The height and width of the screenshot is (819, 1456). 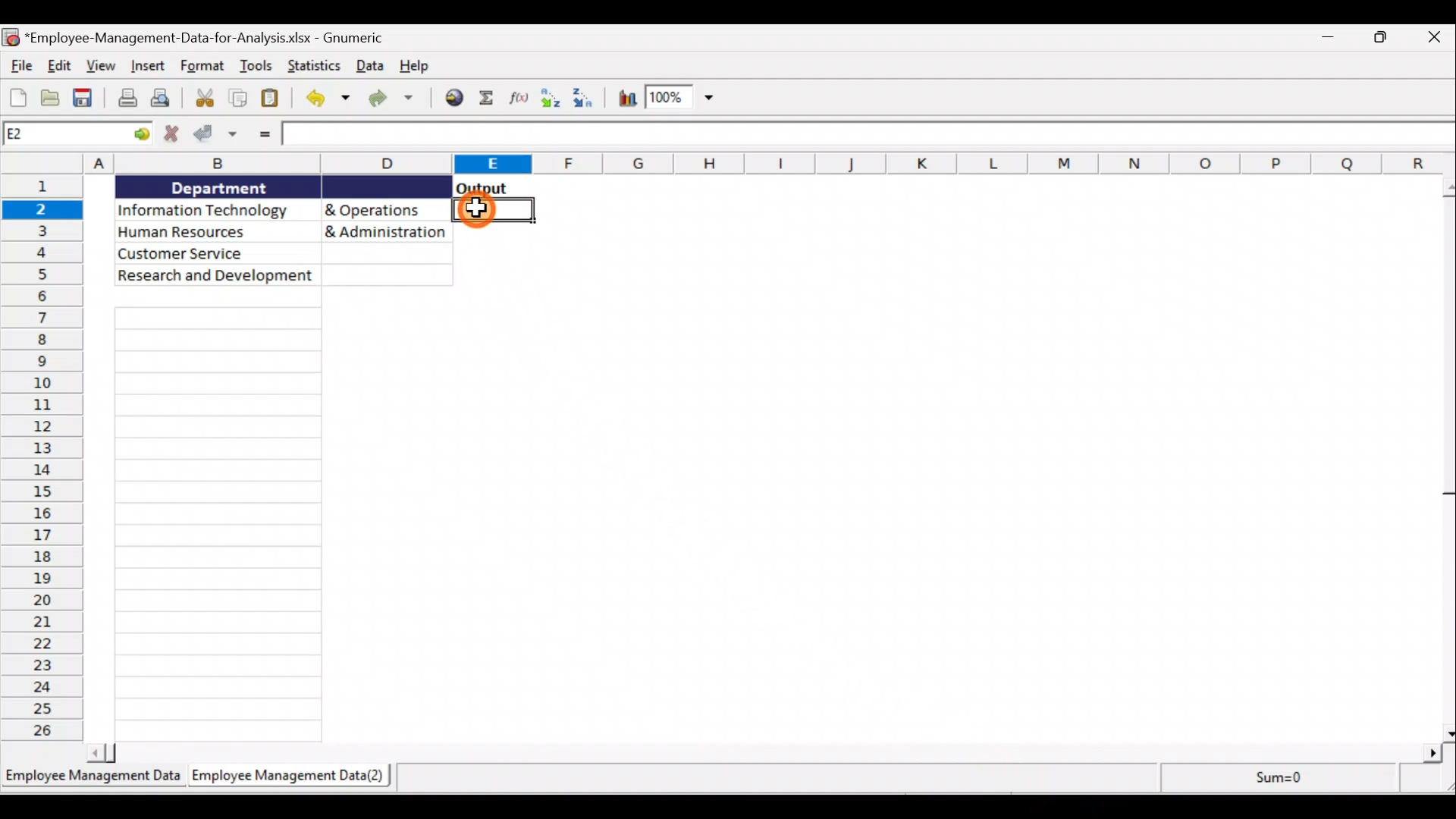 What do you see at coordinates (1331, 42) in the screenshot?
I see `Minimise` at bounding box center [1331, 42].